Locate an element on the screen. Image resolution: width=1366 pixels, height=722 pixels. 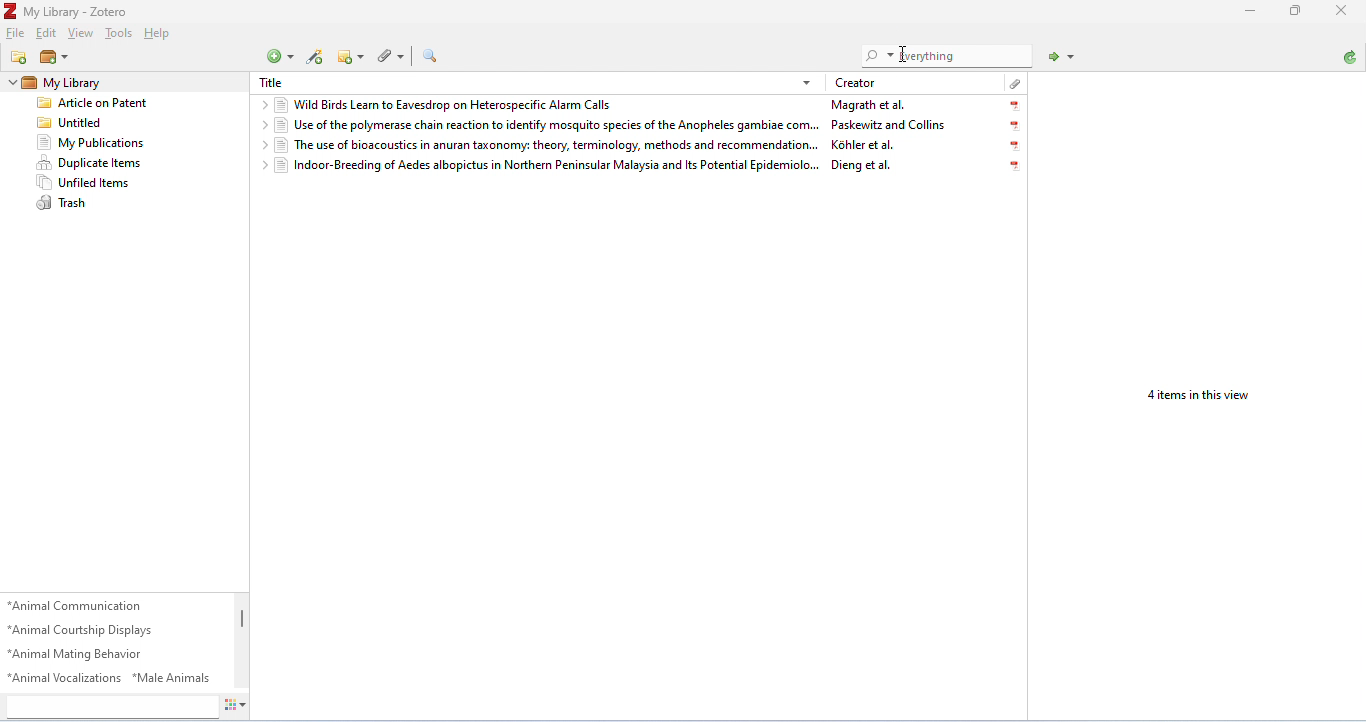
My Publications is located at coordinates (106, 143).